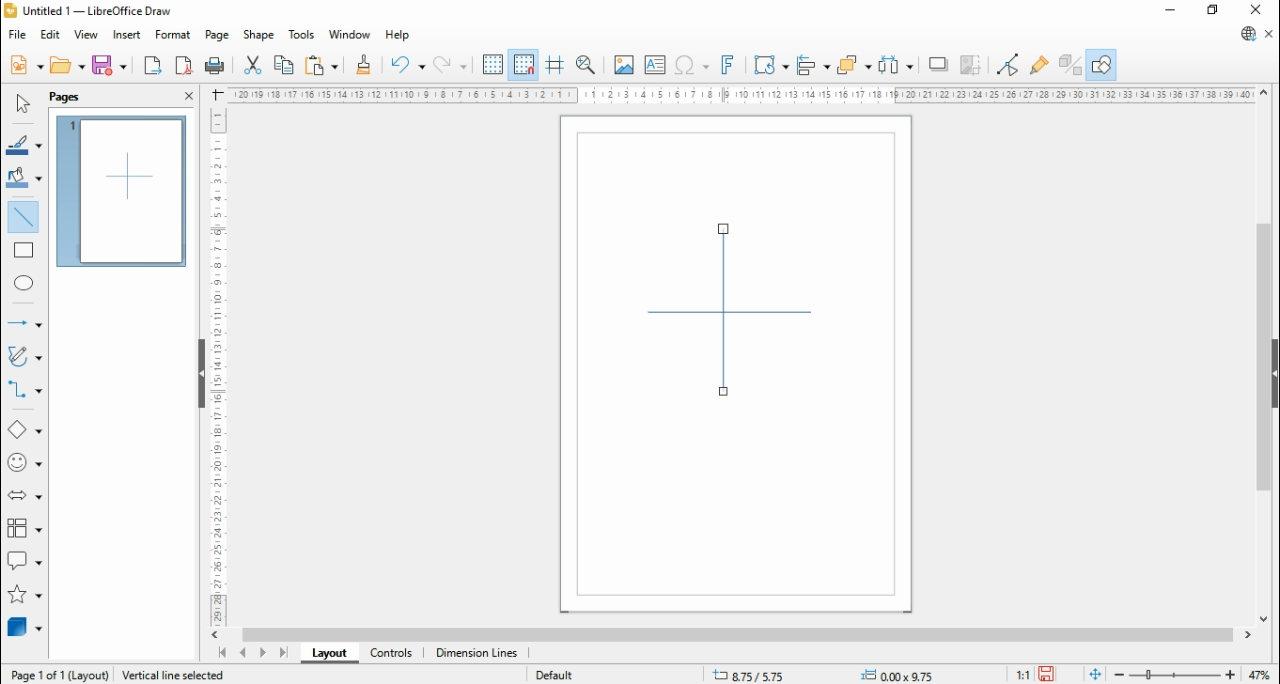 The image size is (1280, 684). What do you see at coordinates (729, 66) in the screenshot?
I see `insert fontwork text` at bounding box center [729, 66].